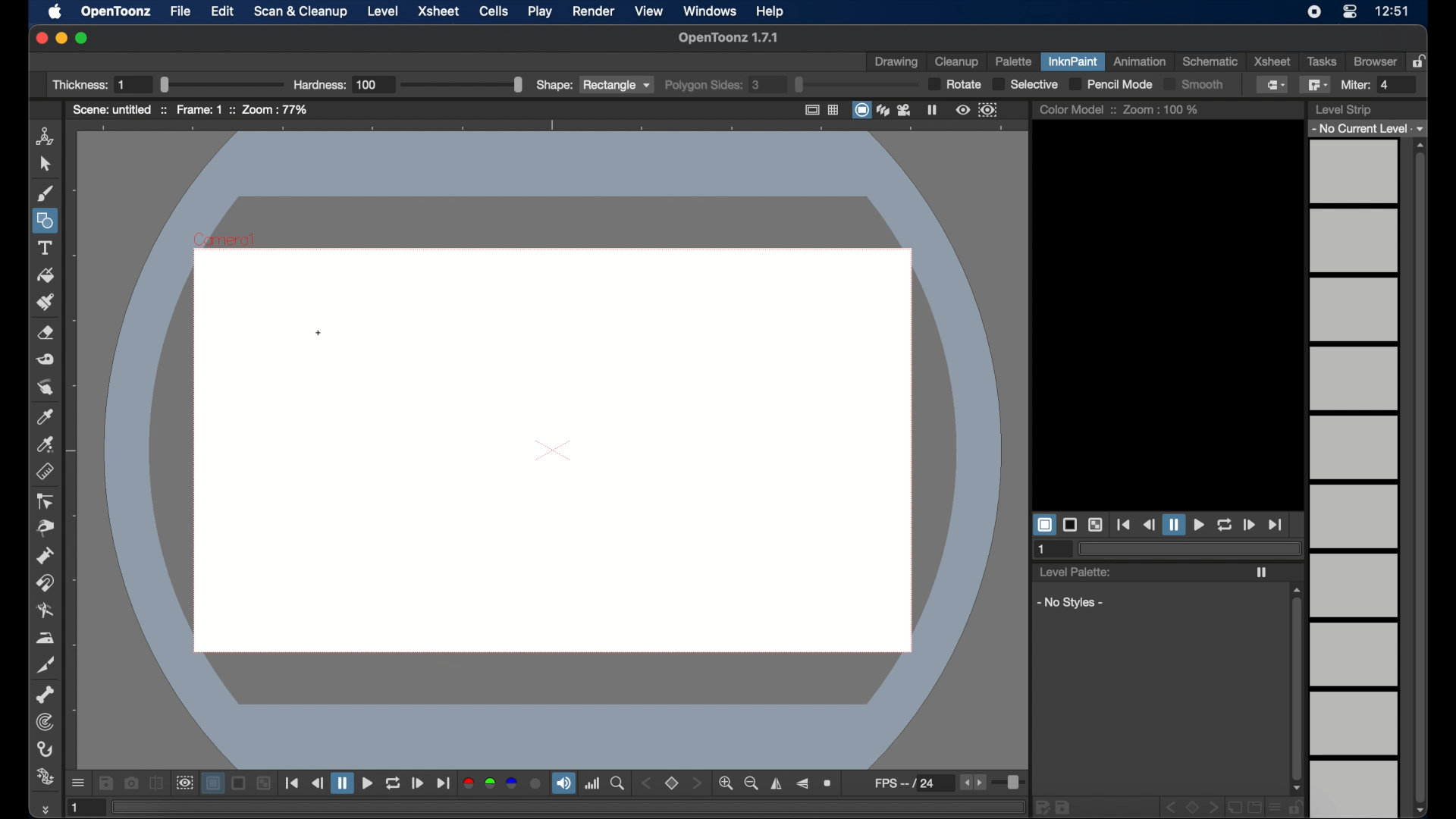 The image size is (1456, 819). I want to click on levels, so click(1356, 479).